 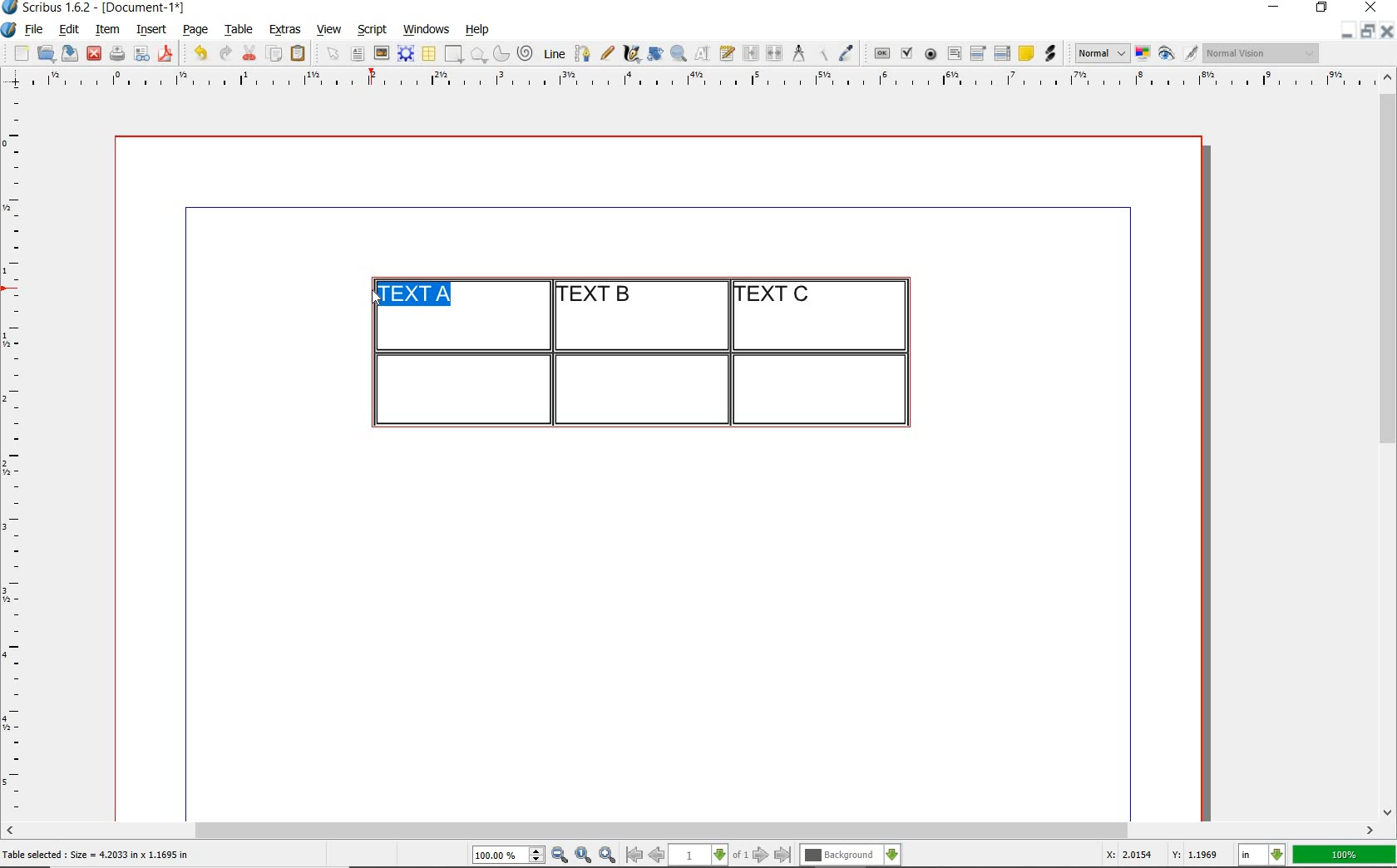 I want to click on Bezier curve, so click(x=581, y=53).